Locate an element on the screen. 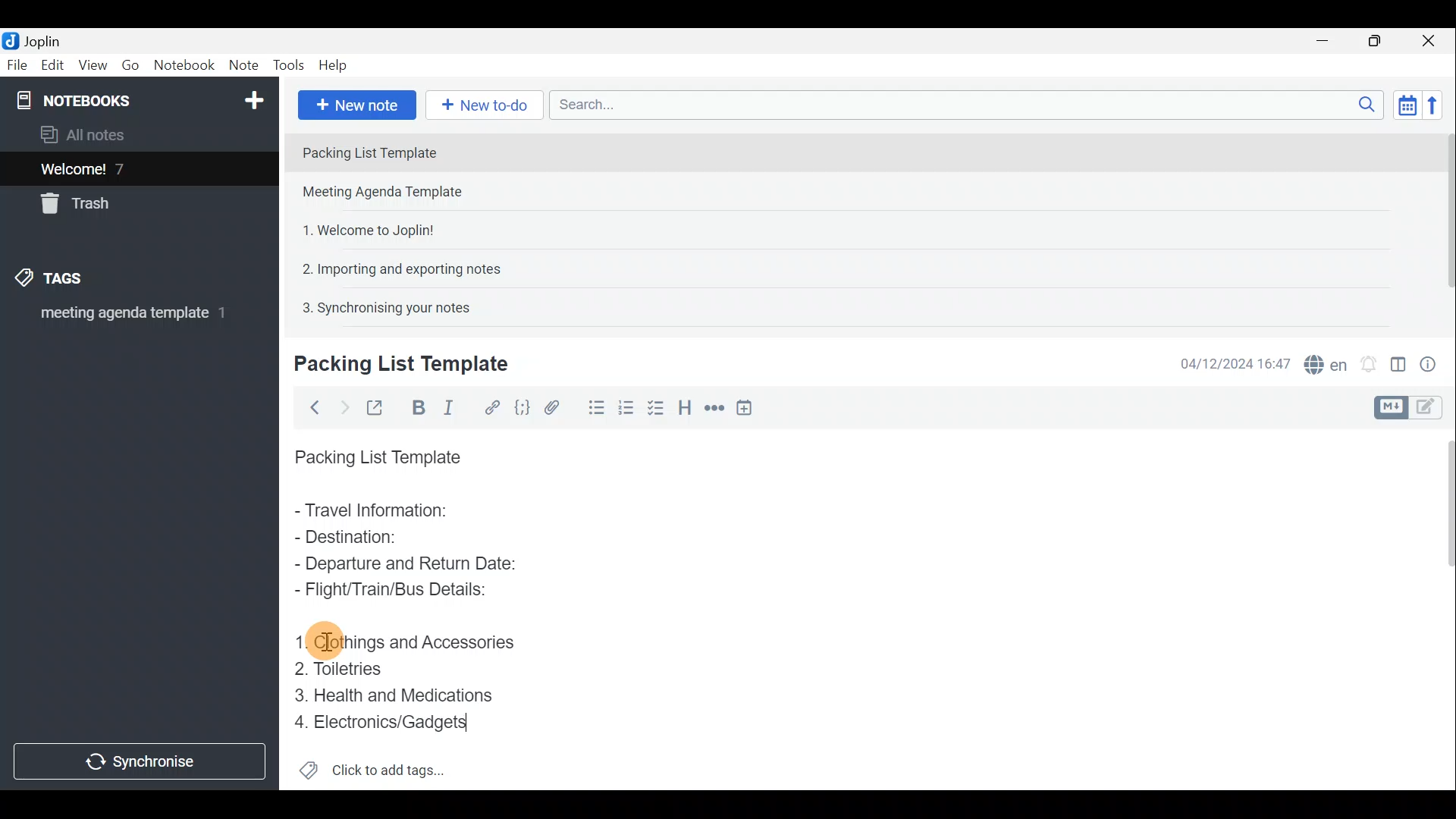  Insert time is located at coordinates (749, 407).